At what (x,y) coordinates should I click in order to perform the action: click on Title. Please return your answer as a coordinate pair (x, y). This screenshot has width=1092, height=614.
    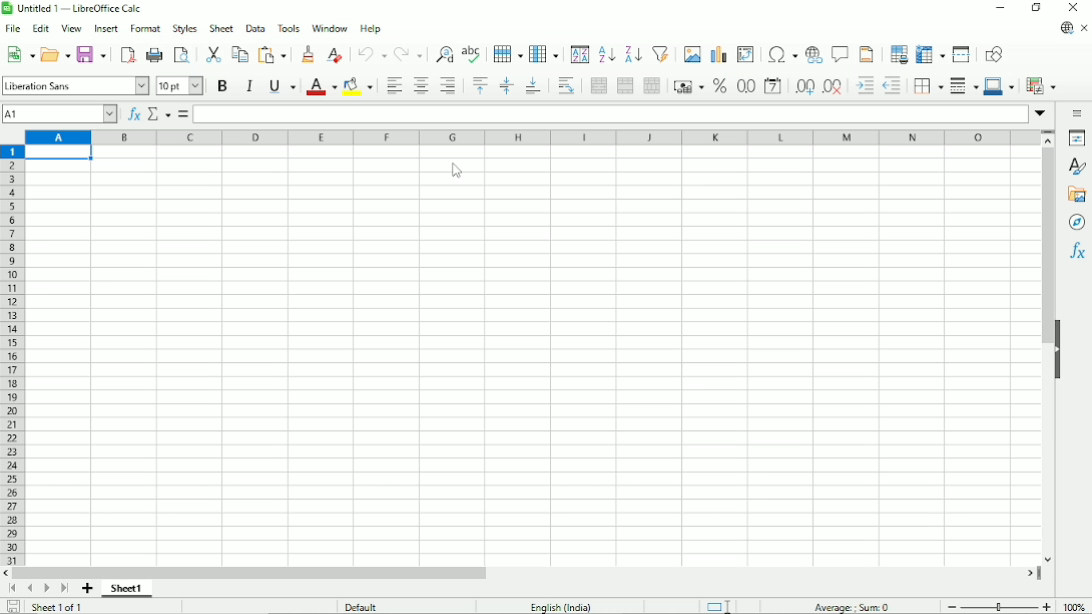
    Looking at the image, I should click on (76, 9).